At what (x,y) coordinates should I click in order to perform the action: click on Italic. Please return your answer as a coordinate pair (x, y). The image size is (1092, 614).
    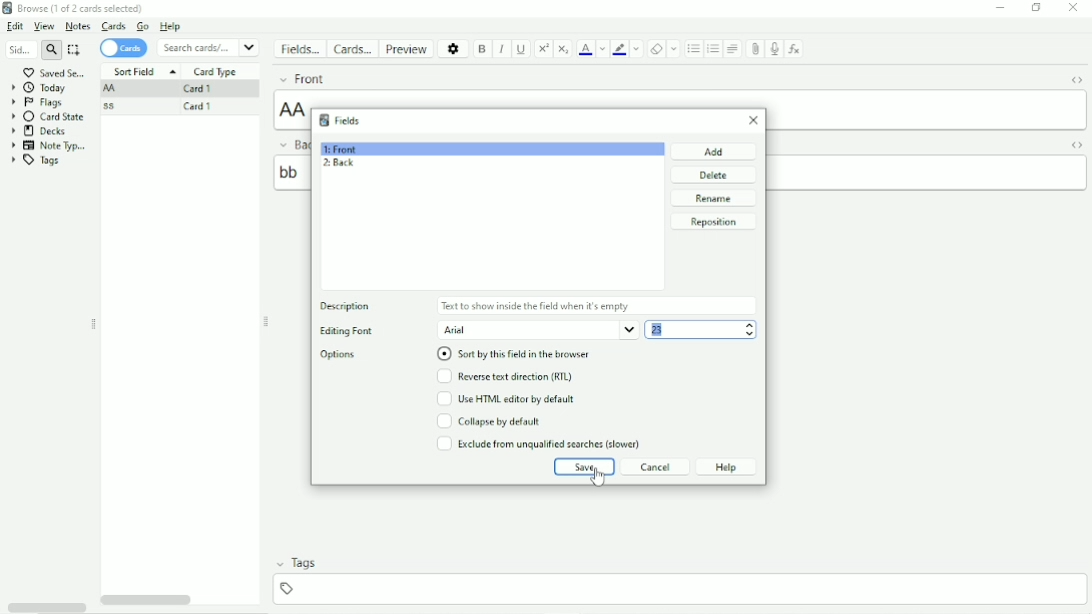
    Looking at the image, I should click on (502, 49).